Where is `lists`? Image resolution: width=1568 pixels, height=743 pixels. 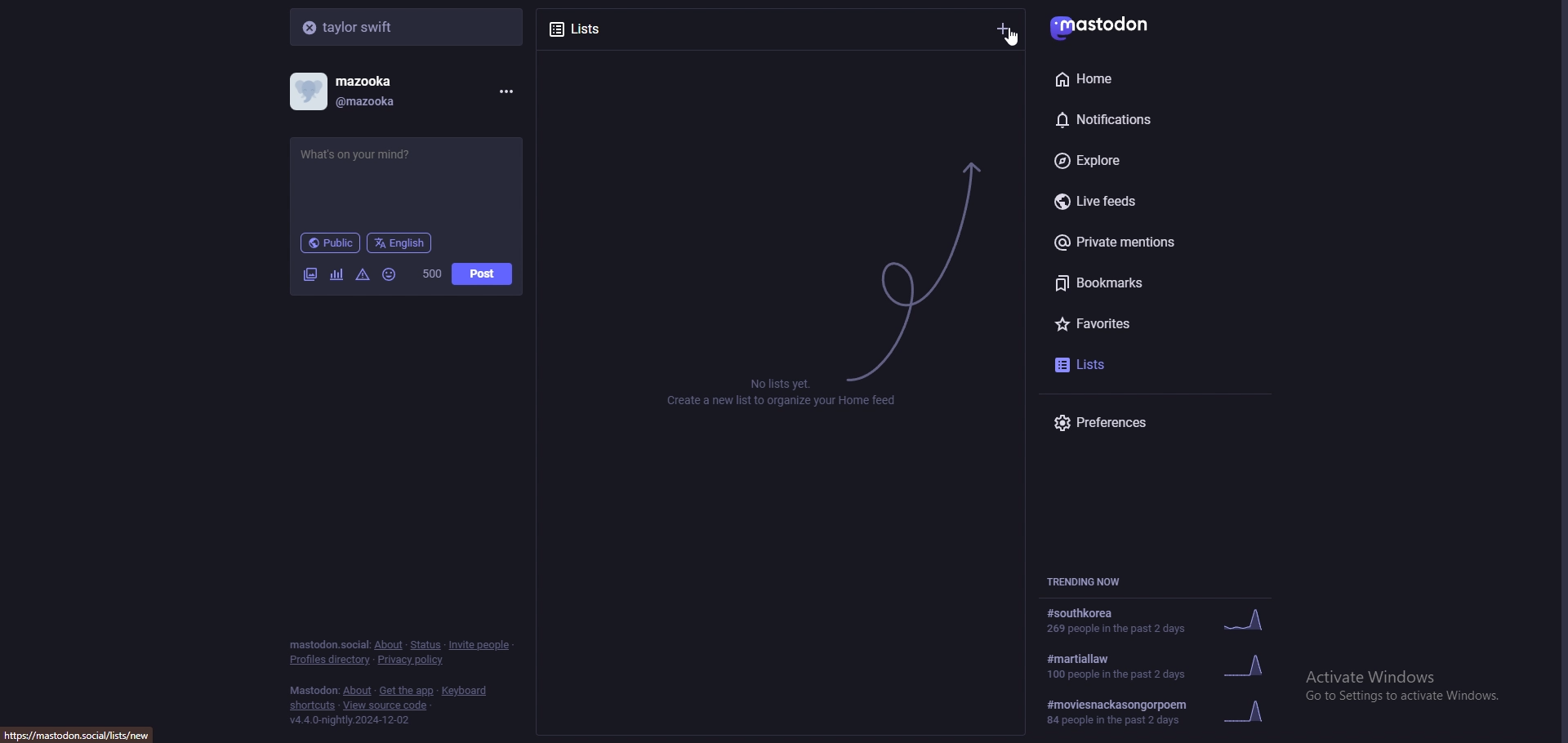 lists is located at coordinates (1118, 363).